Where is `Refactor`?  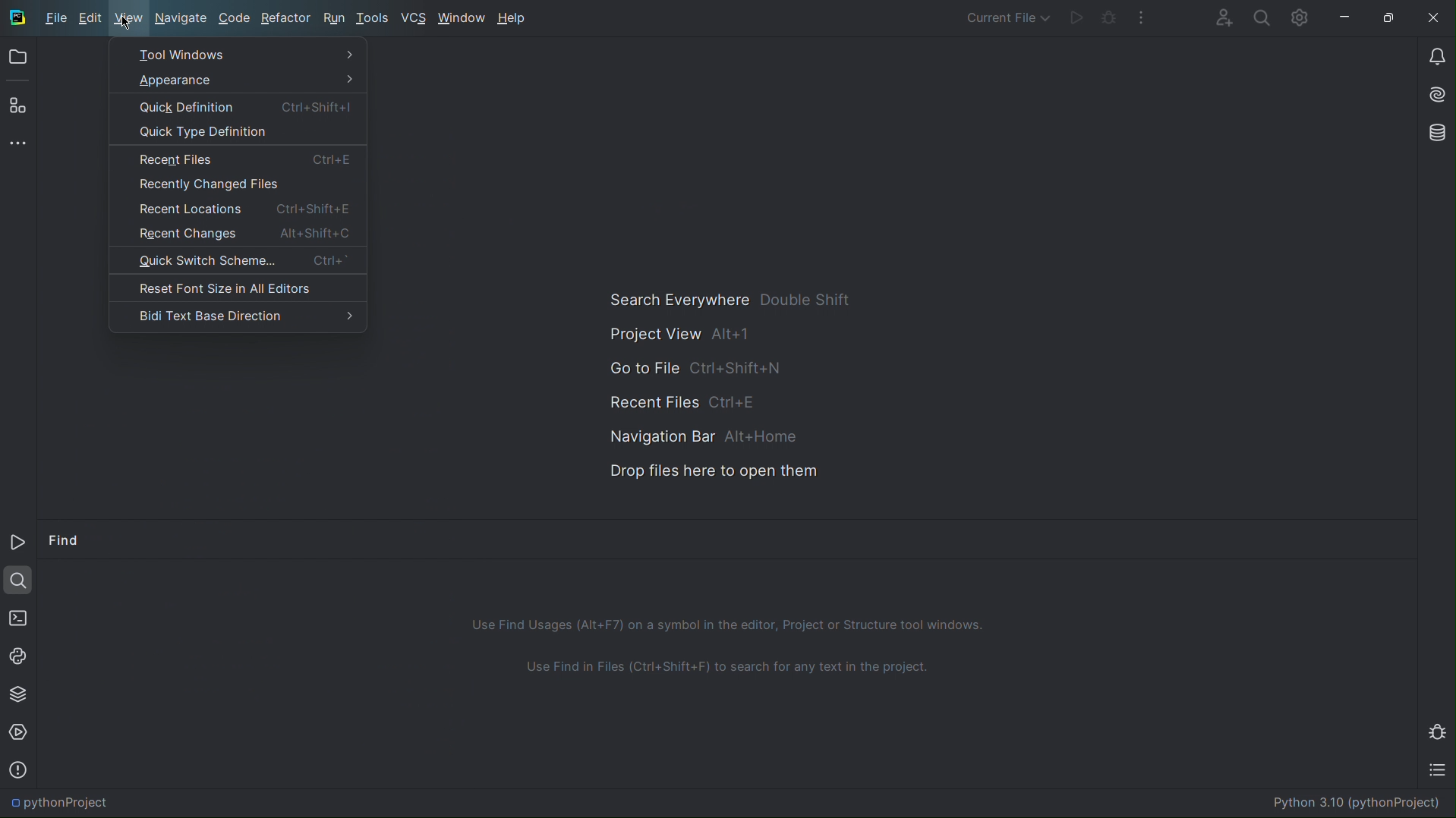
Refactor is located at coordinates (285, 18).